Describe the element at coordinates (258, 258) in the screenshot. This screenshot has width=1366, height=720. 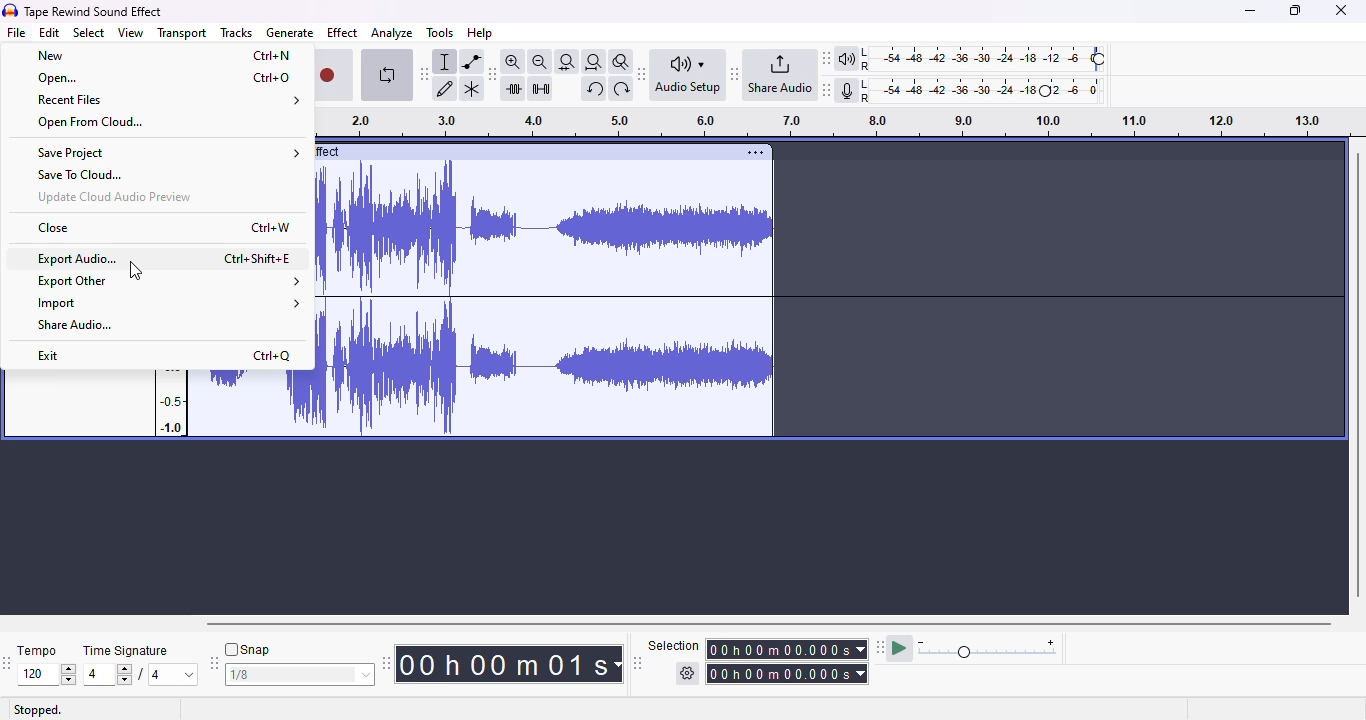
I see `shortcut for export audio` at that location.